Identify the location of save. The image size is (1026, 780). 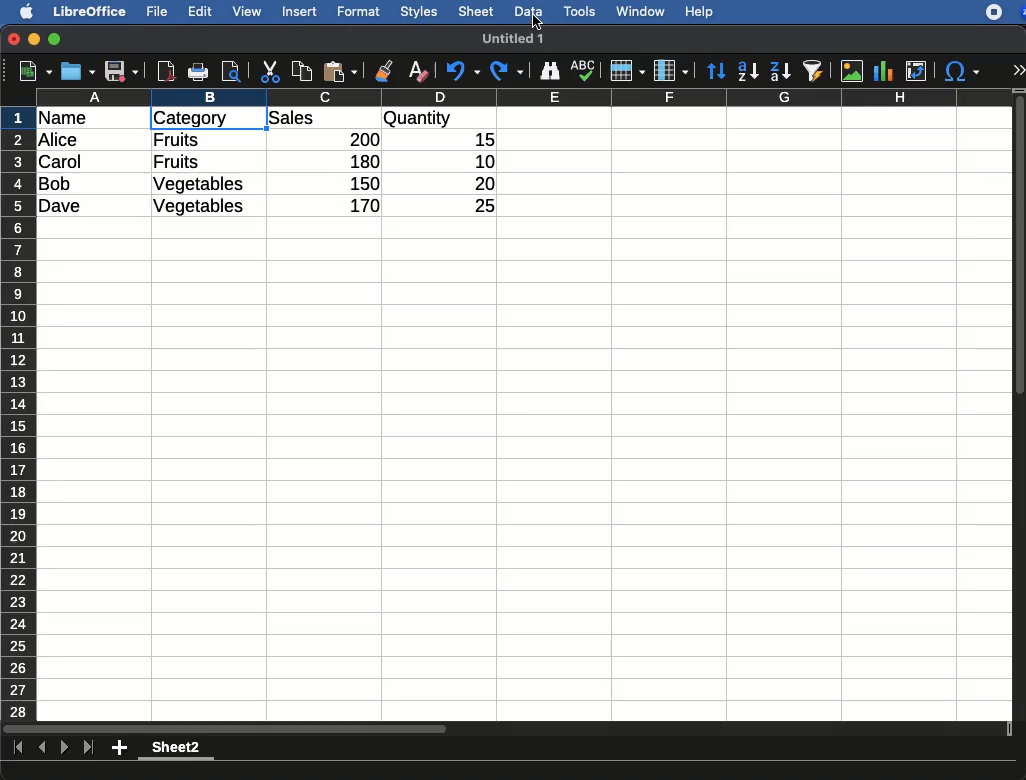
(79, 71).